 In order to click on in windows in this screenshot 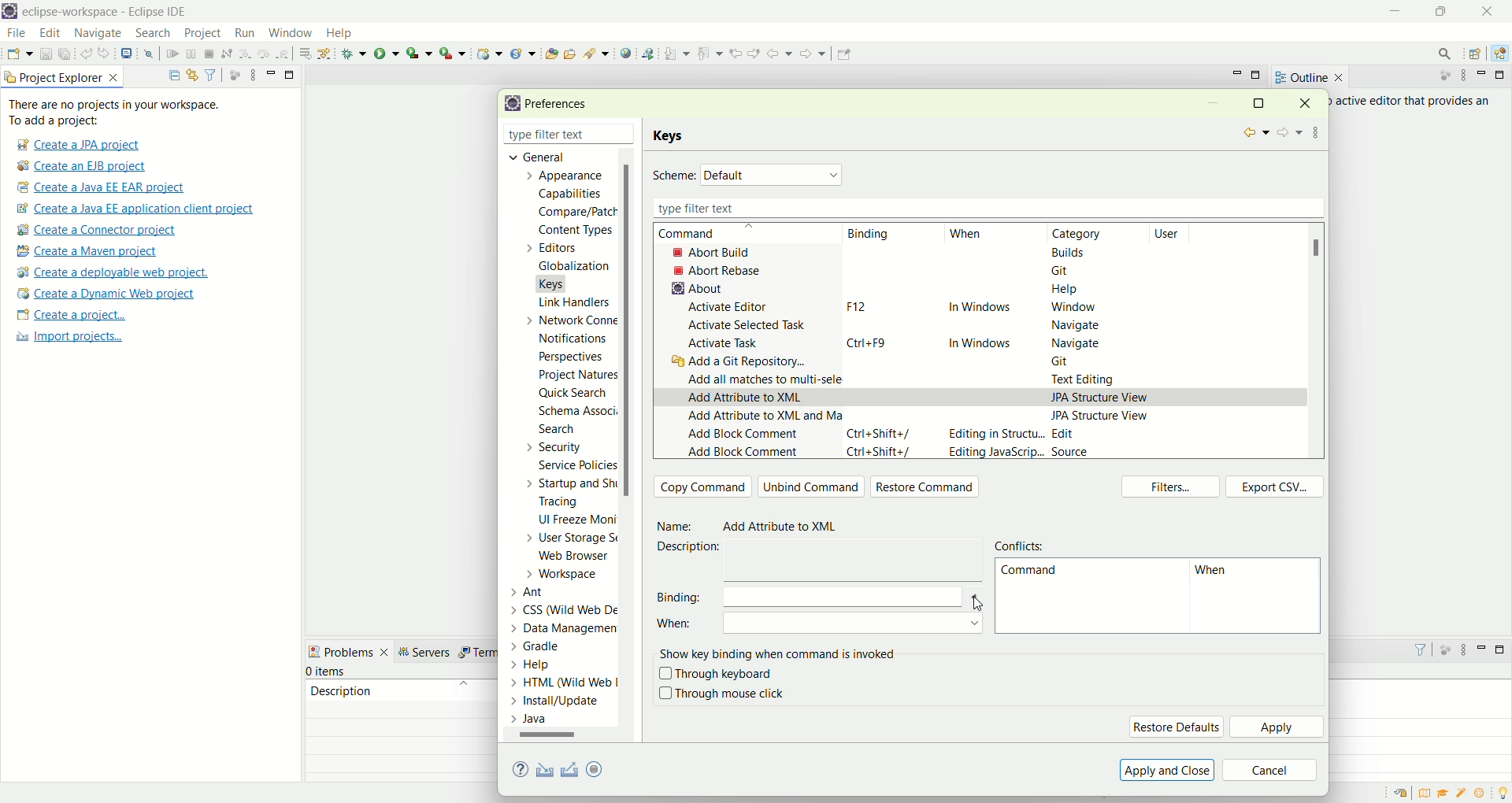, I will do `click(980, 309)`.